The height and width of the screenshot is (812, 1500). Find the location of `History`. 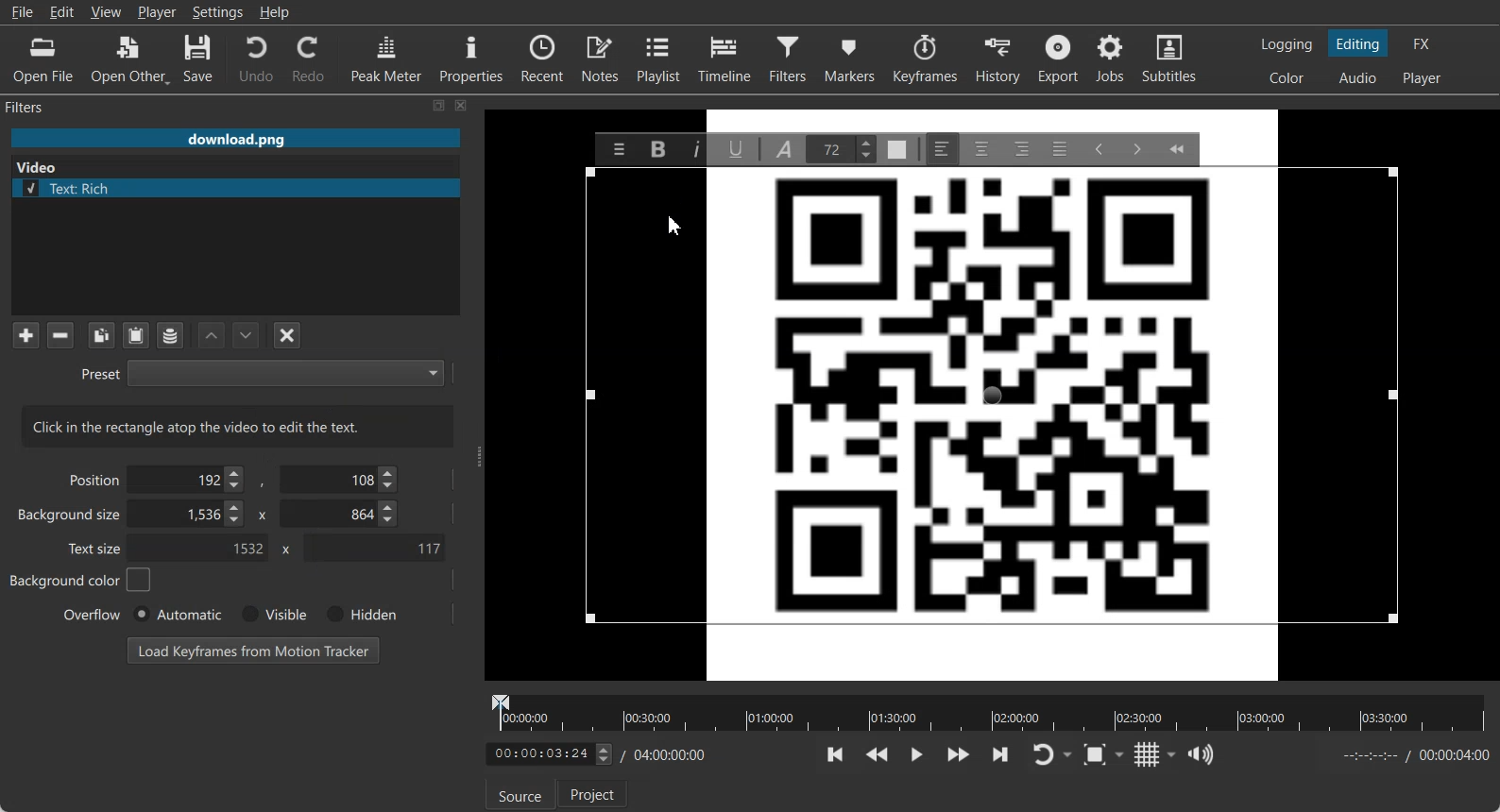

History is located at coordinates (1000, 59).